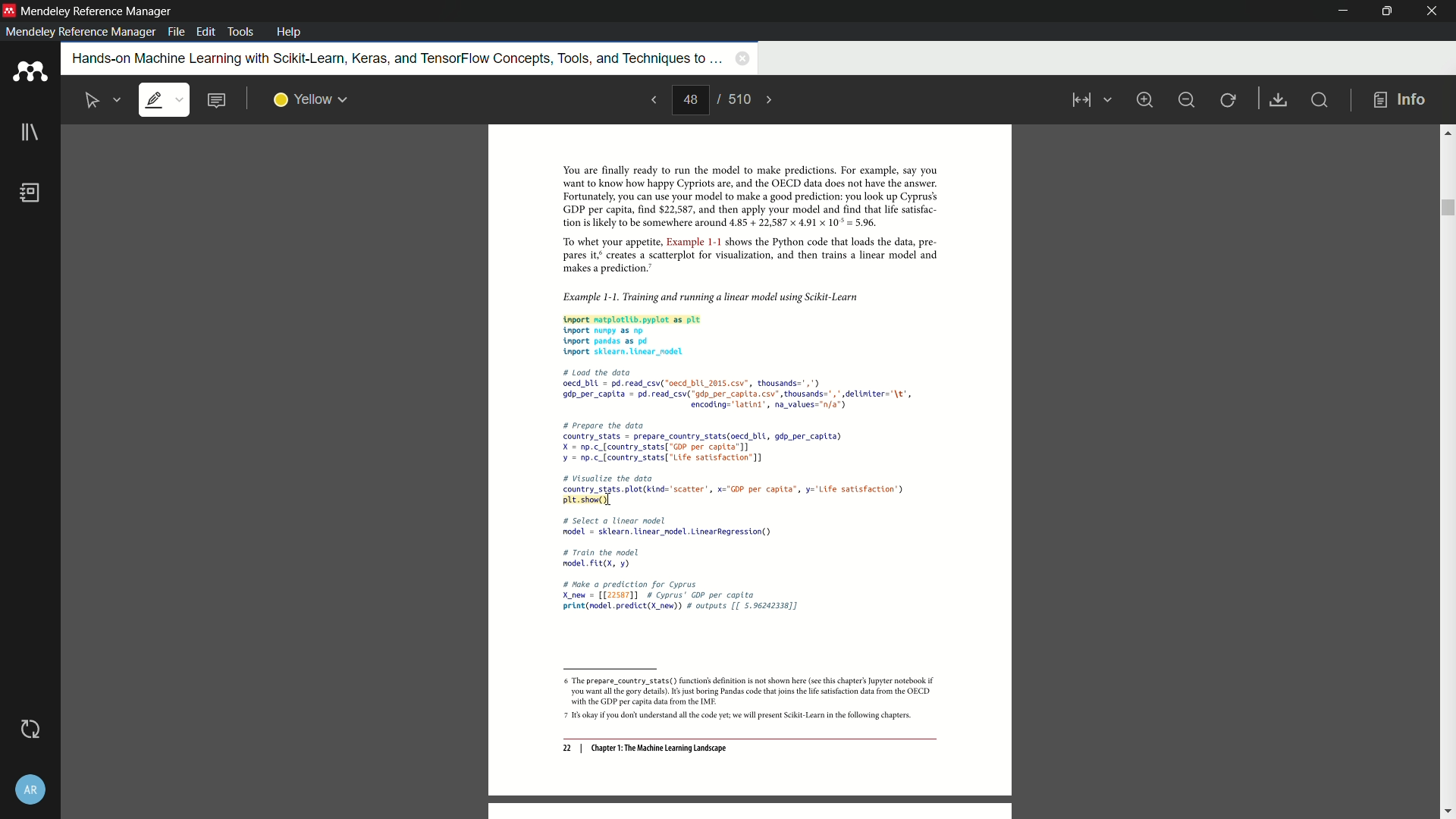 The image size is (1456, 819). Describe the element at coordinates (163, 101) in the screenshot. I see `highlight text is selected` at that location.